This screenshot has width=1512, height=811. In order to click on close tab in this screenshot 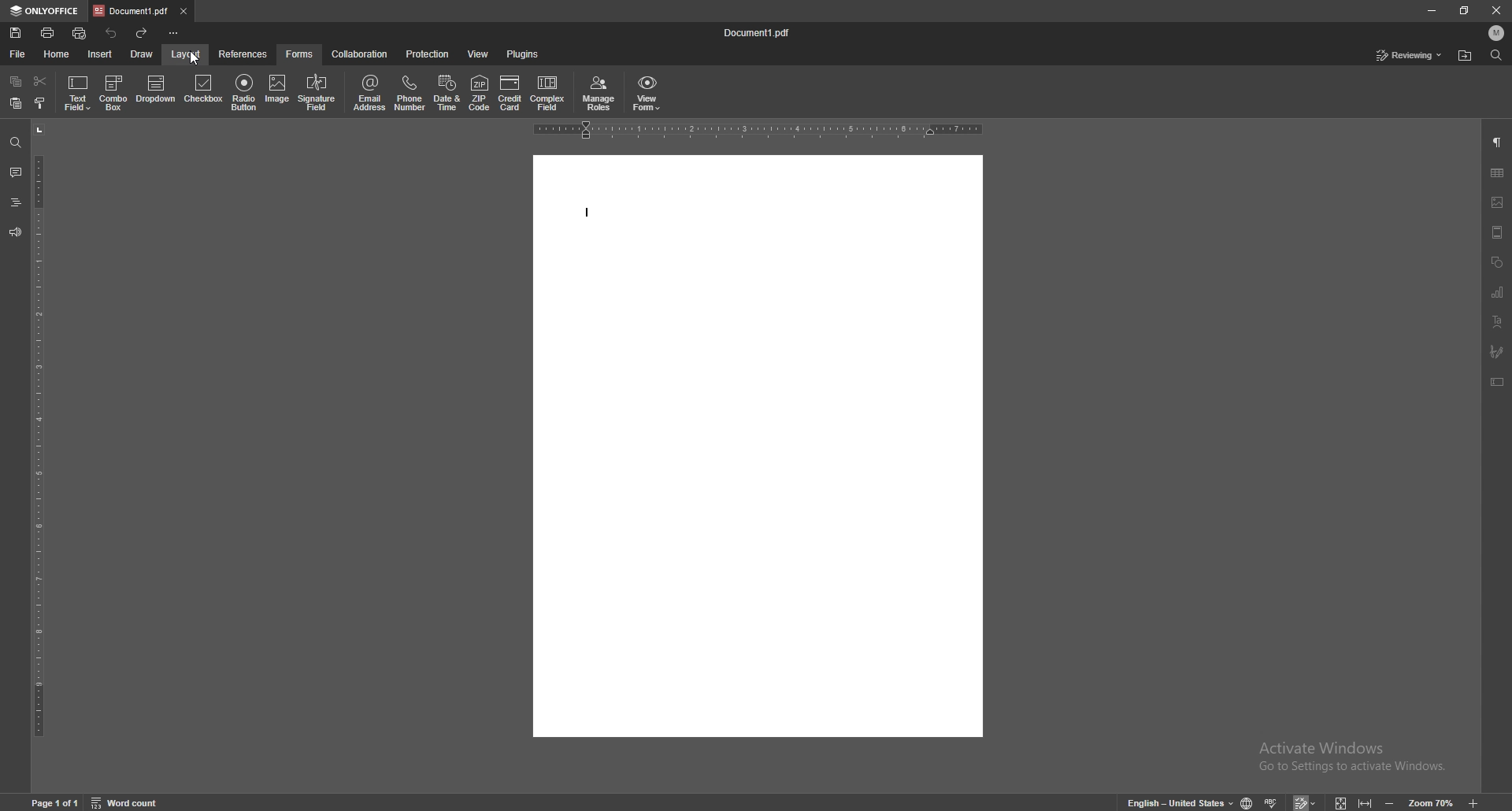, I will do `click(183, 10)`.